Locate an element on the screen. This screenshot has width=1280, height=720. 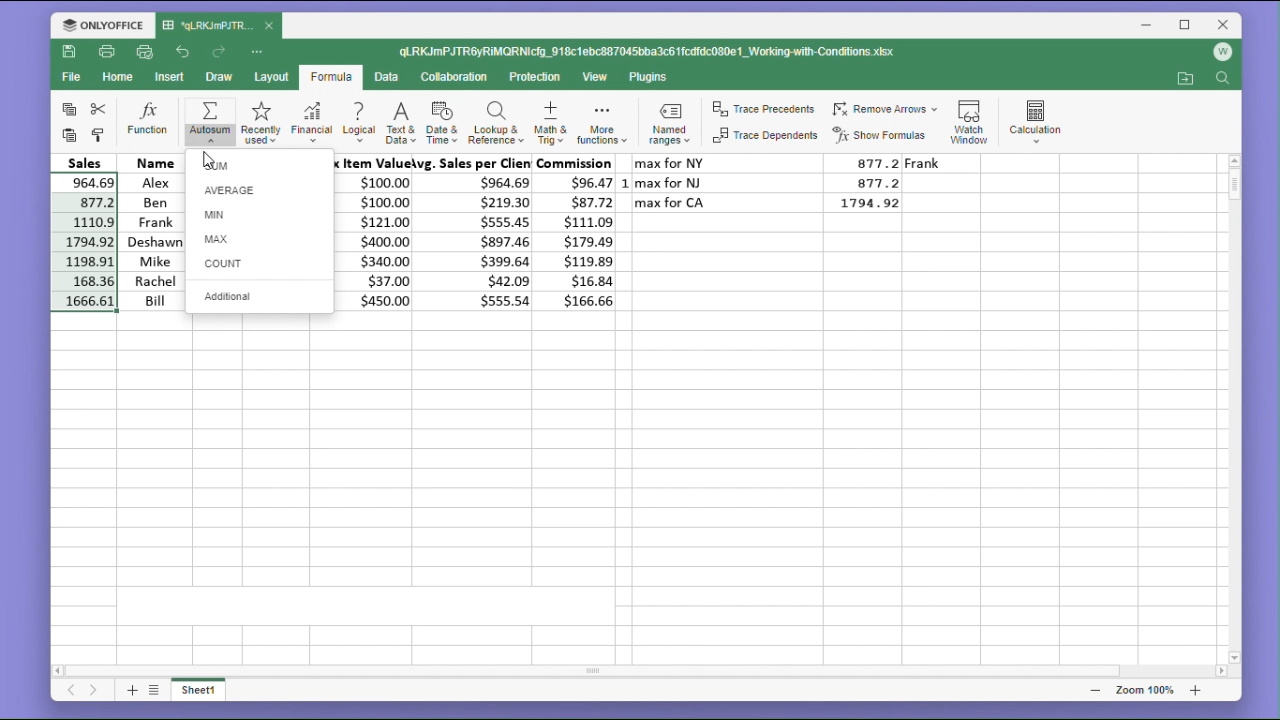
draw is located at coordinates (219, 78).